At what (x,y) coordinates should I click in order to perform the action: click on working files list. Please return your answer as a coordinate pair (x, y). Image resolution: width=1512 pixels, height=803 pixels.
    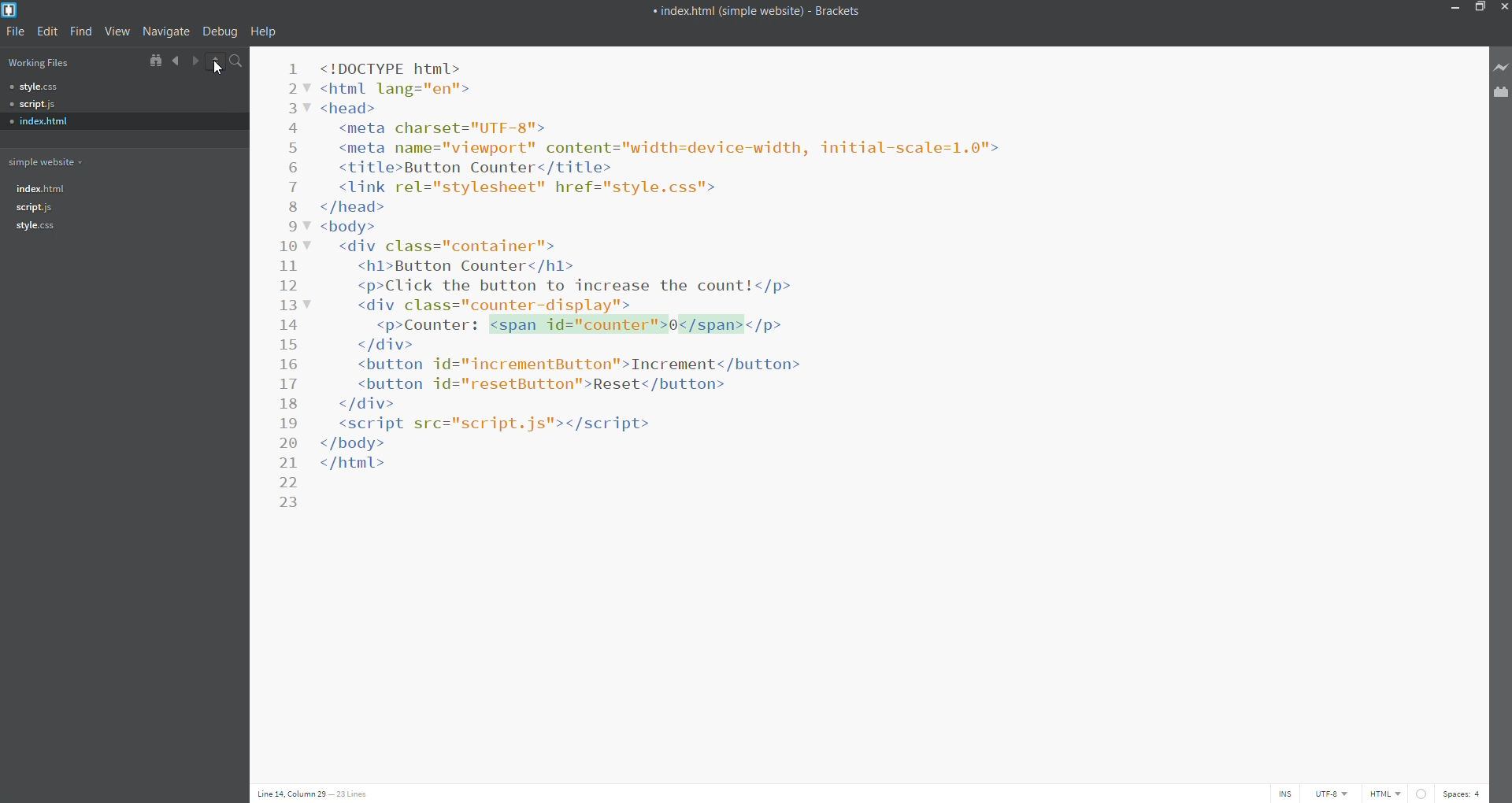
    Looking at the image, I should click on (68, 62).